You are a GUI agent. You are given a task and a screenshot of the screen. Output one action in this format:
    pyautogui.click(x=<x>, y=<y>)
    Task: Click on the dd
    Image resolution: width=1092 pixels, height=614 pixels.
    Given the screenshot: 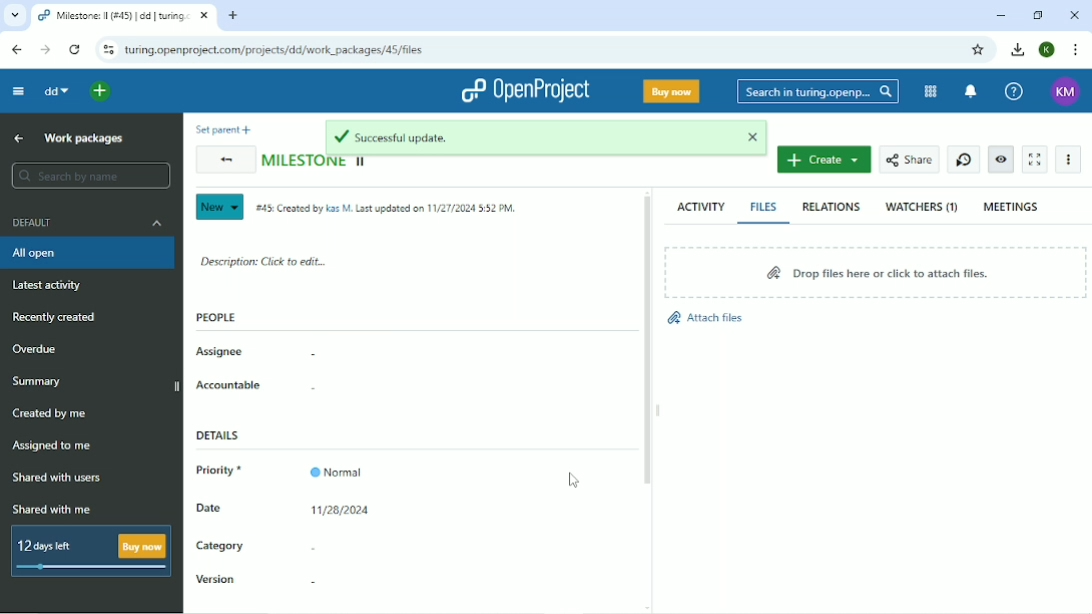 What is the action you would take?
    pyautogui.click(x=54, y=91)
    